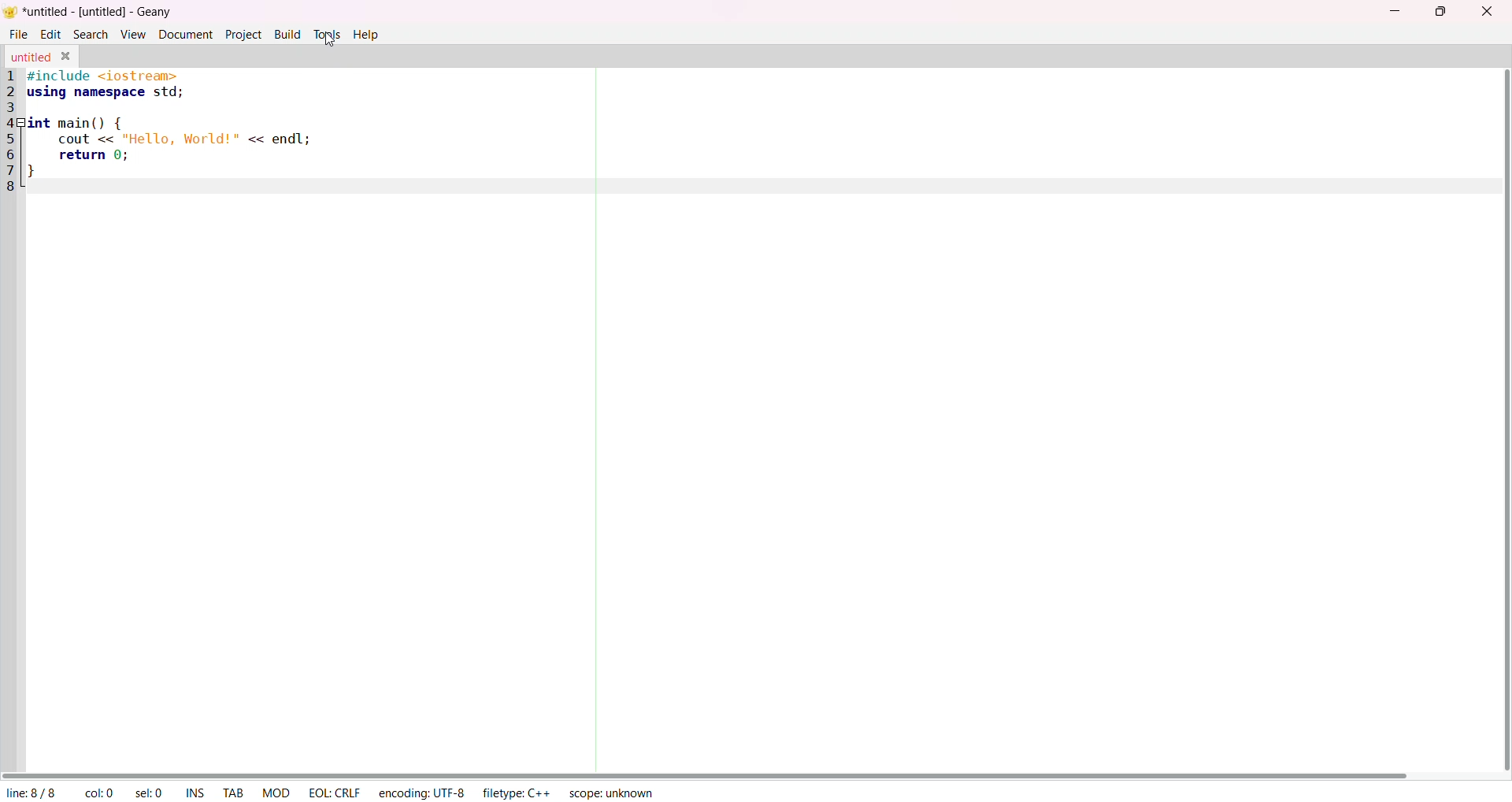 The height and width of the screenshot is (802, 1512). What do you see at coordinates (183, 34) in the screenshot?
I see `Document` at bounding box center [183, 34].